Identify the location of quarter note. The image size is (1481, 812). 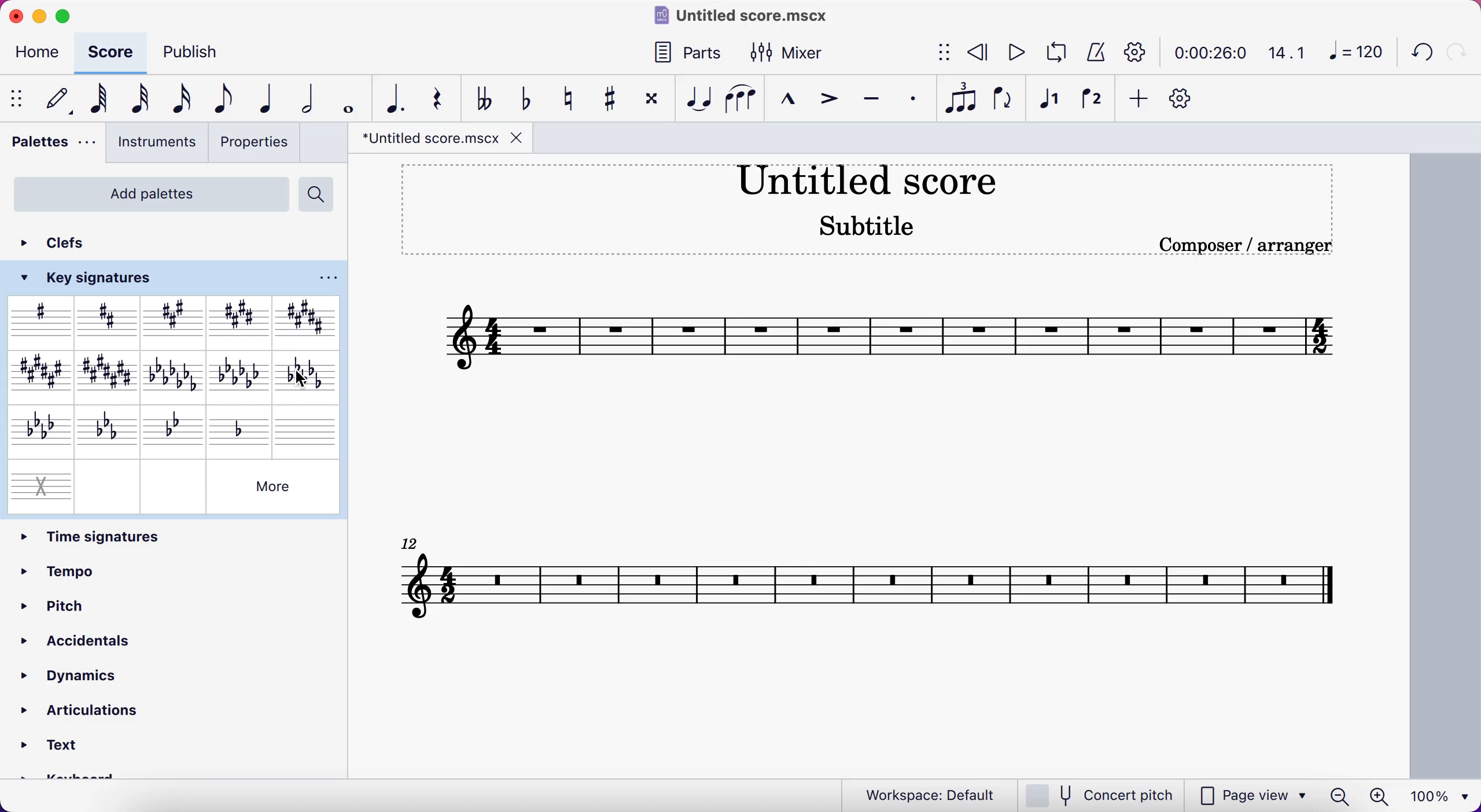
(270, 98).